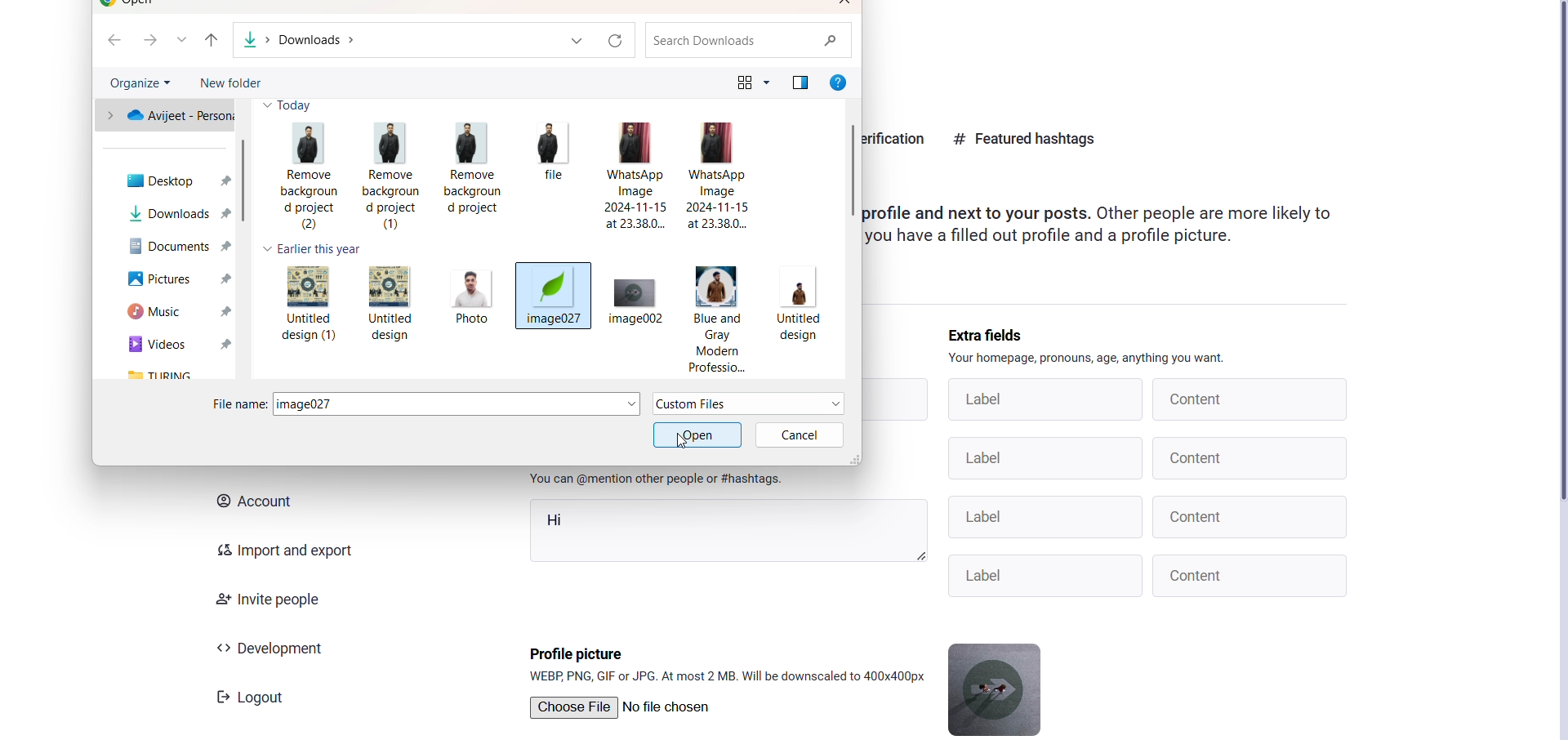 The width and height of the screenshot is (1568, 740). Describe the element at coordinates (719, 176) in the screenshot. I see `WhatsApp Image2024-11-15 at 23.38.0...` at that location.